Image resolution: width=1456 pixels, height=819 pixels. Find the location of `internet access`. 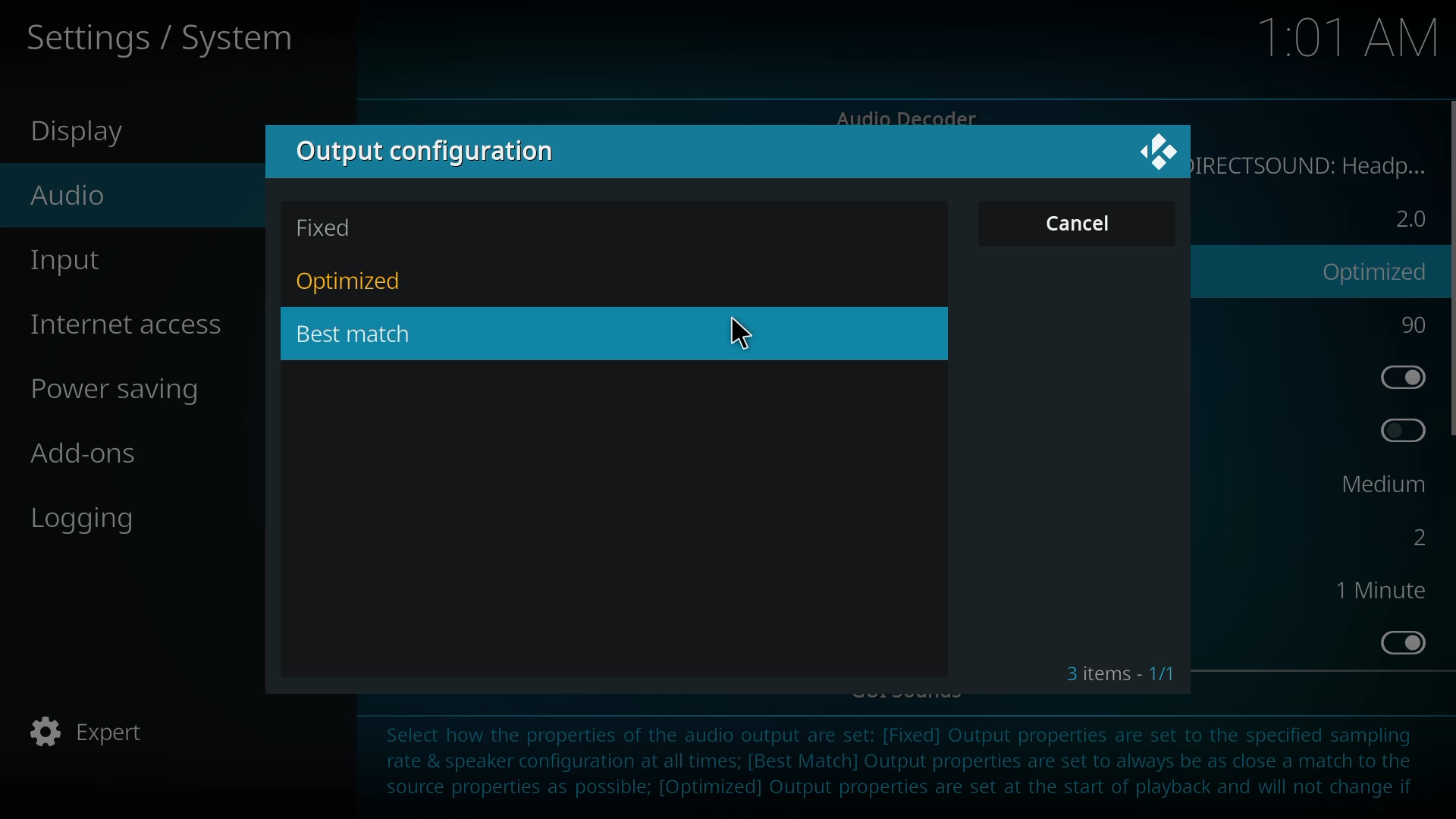

internet access is located at coordinates (123, 322).